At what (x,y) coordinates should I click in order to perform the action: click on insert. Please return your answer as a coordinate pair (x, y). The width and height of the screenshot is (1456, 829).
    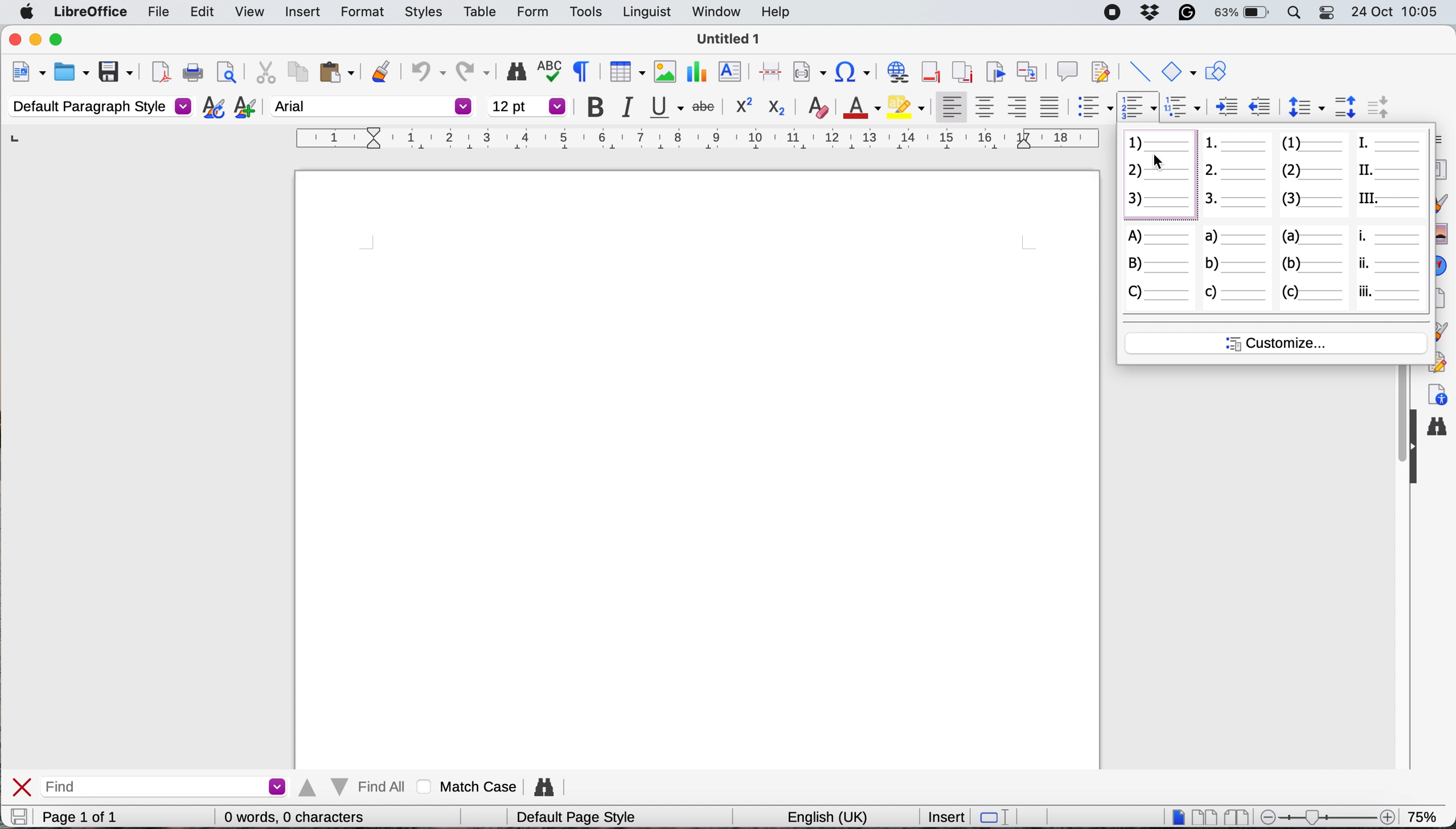
    Looking at the image, I should click on (302, 11).